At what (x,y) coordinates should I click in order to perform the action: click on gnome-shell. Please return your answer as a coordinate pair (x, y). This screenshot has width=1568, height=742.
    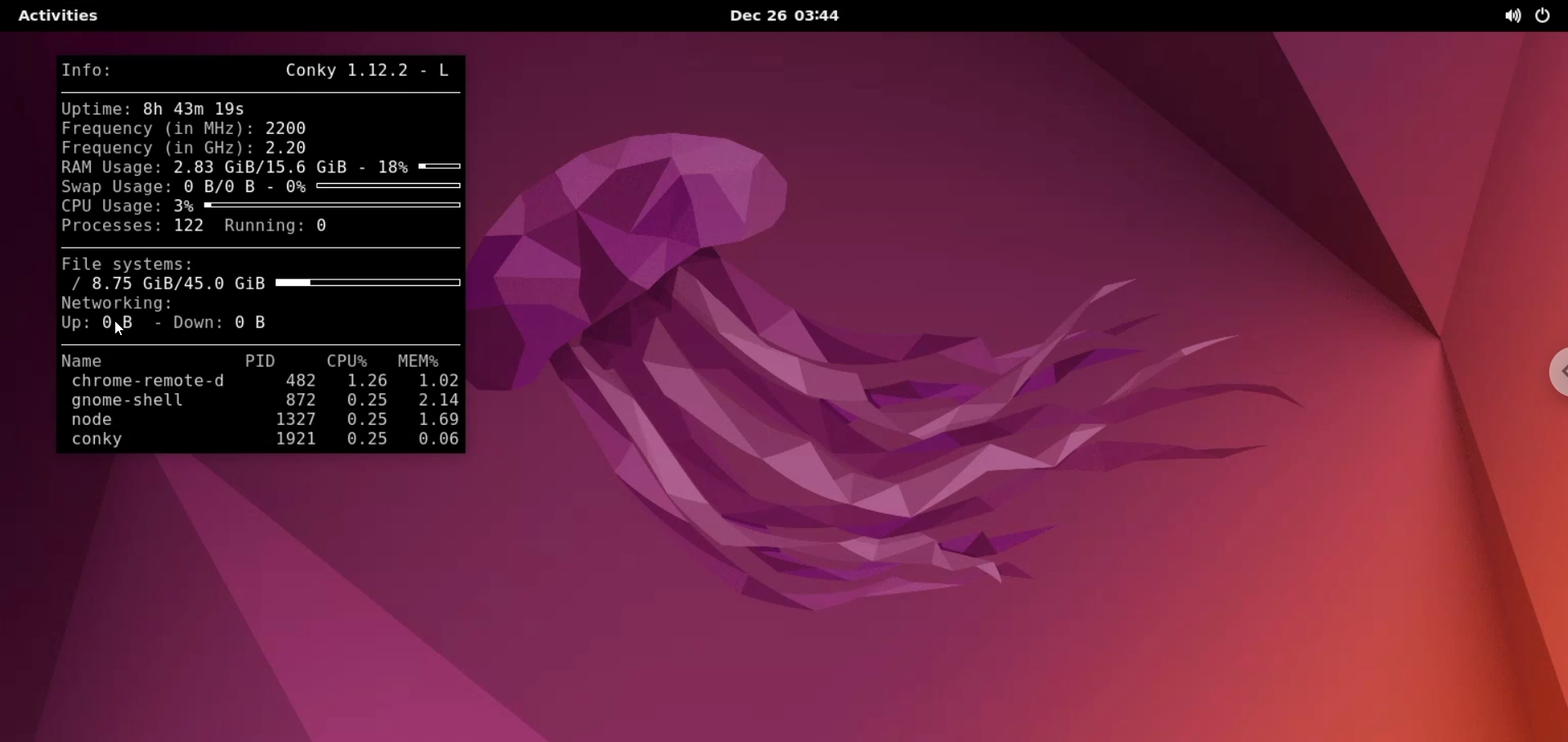
    Looking at the image, I should click on (142, 401).